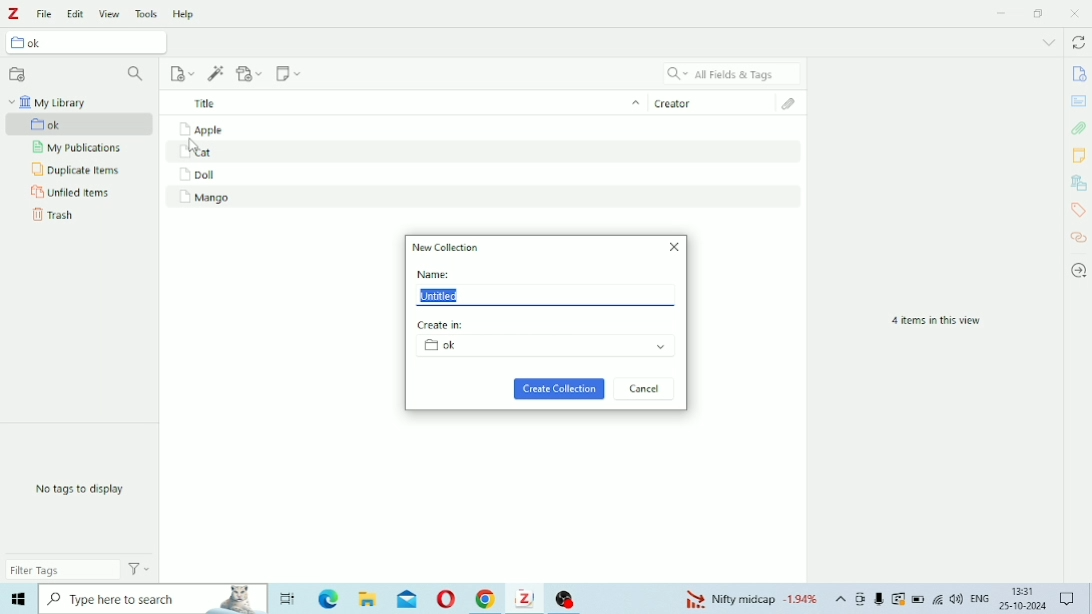 Image resolution: width=1092 pixels, height=614 pixels. Describe the element at coordinates (1080, 237) in the screenshot. I see `Related` at that location.